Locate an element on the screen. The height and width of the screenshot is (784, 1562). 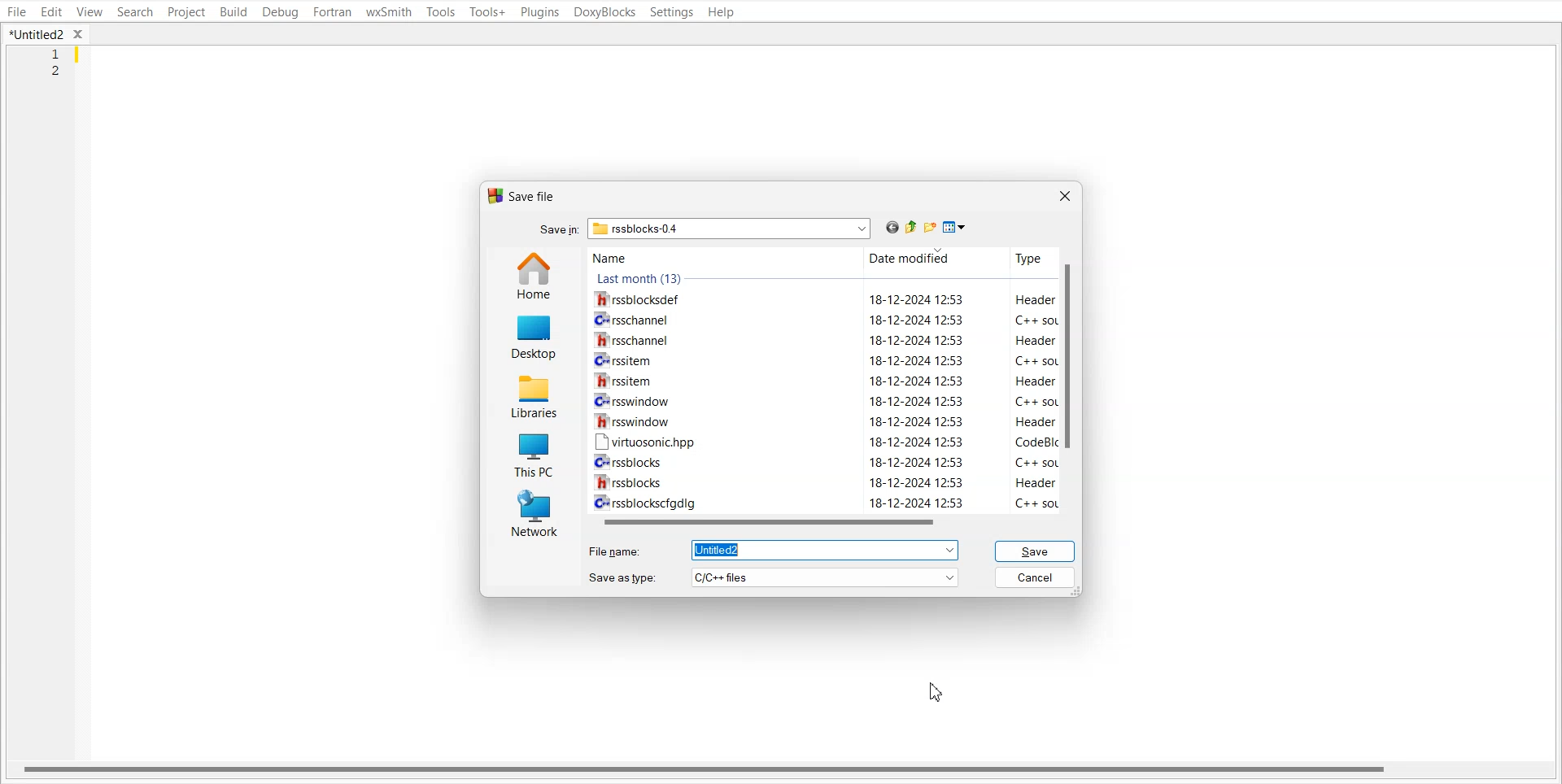
Tools+ is located at coordinates (487, 12).